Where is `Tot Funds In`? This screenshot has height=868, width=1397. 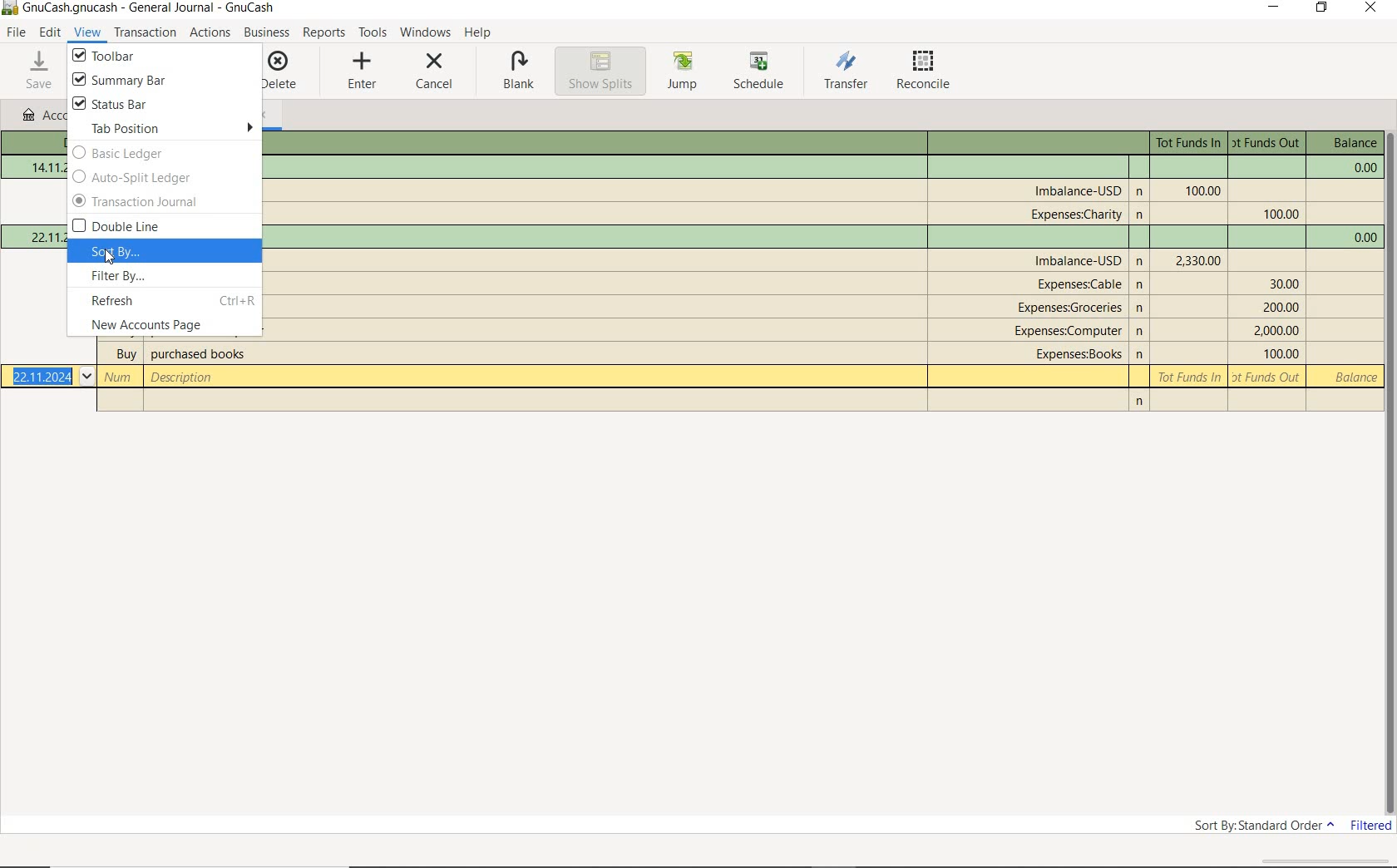 Tot Funds In is located at coordinates (1201, 190).